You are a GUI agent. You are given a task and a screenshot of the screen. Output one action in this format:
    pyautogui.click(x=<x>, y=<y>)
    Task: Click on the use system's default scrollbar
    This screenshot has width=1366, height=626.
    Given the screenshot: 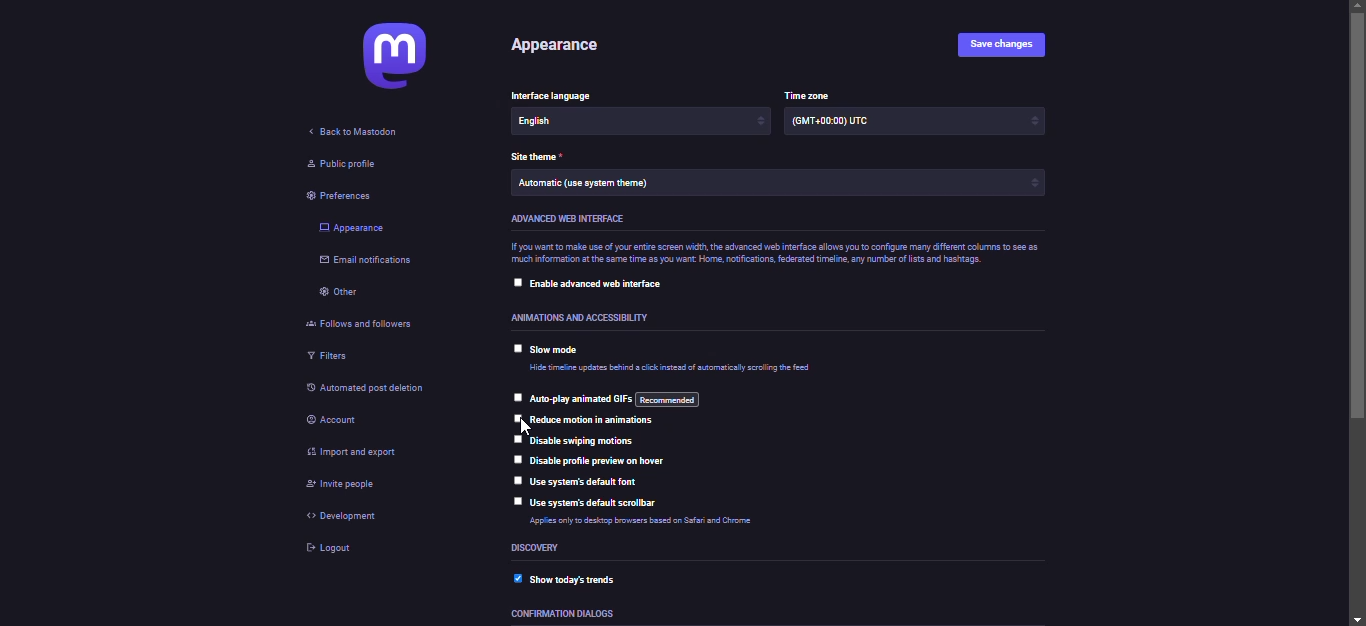 What is the action you would take?
    pyautogui.click(x=599, y=504)
    